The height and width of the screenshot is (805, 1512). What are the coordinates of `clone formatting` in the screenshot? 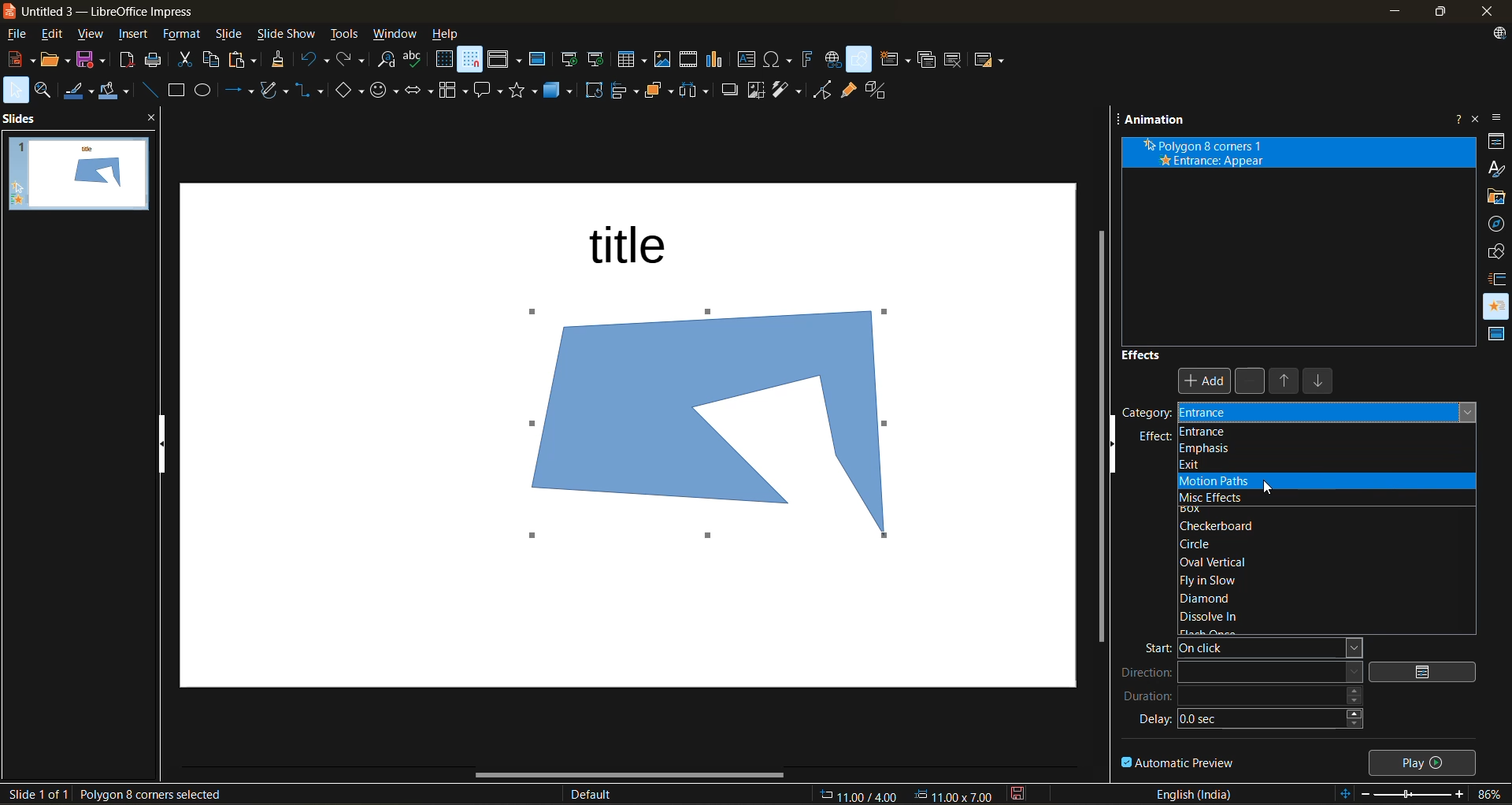 It's located at (279, 61).